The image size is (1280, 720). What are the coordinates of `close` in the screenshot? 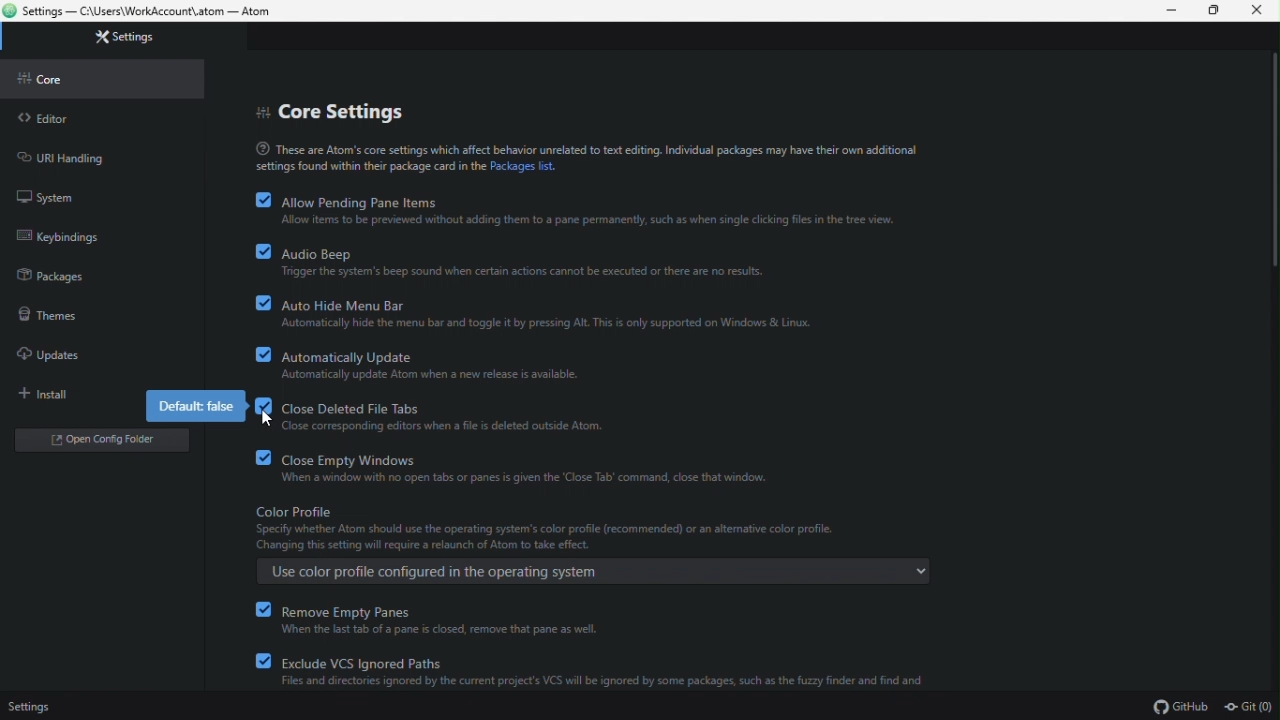 It's located at (1260, 12).